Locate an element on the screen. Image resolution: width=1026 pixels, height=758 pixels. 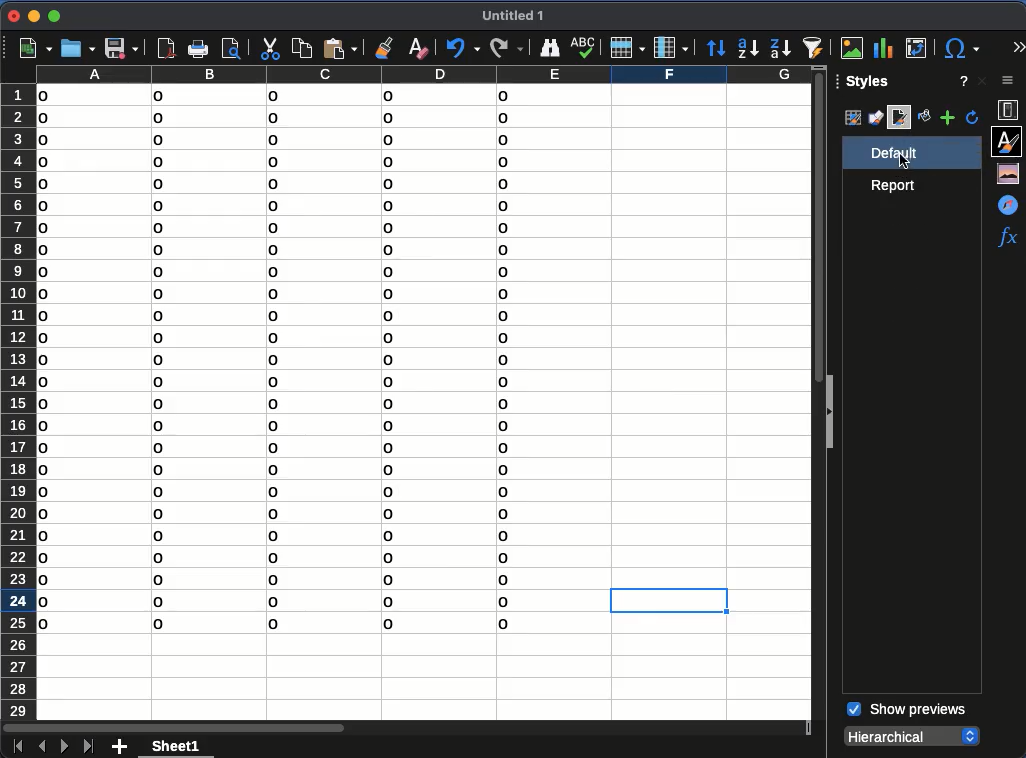
close is located at coordinates (13, 16).